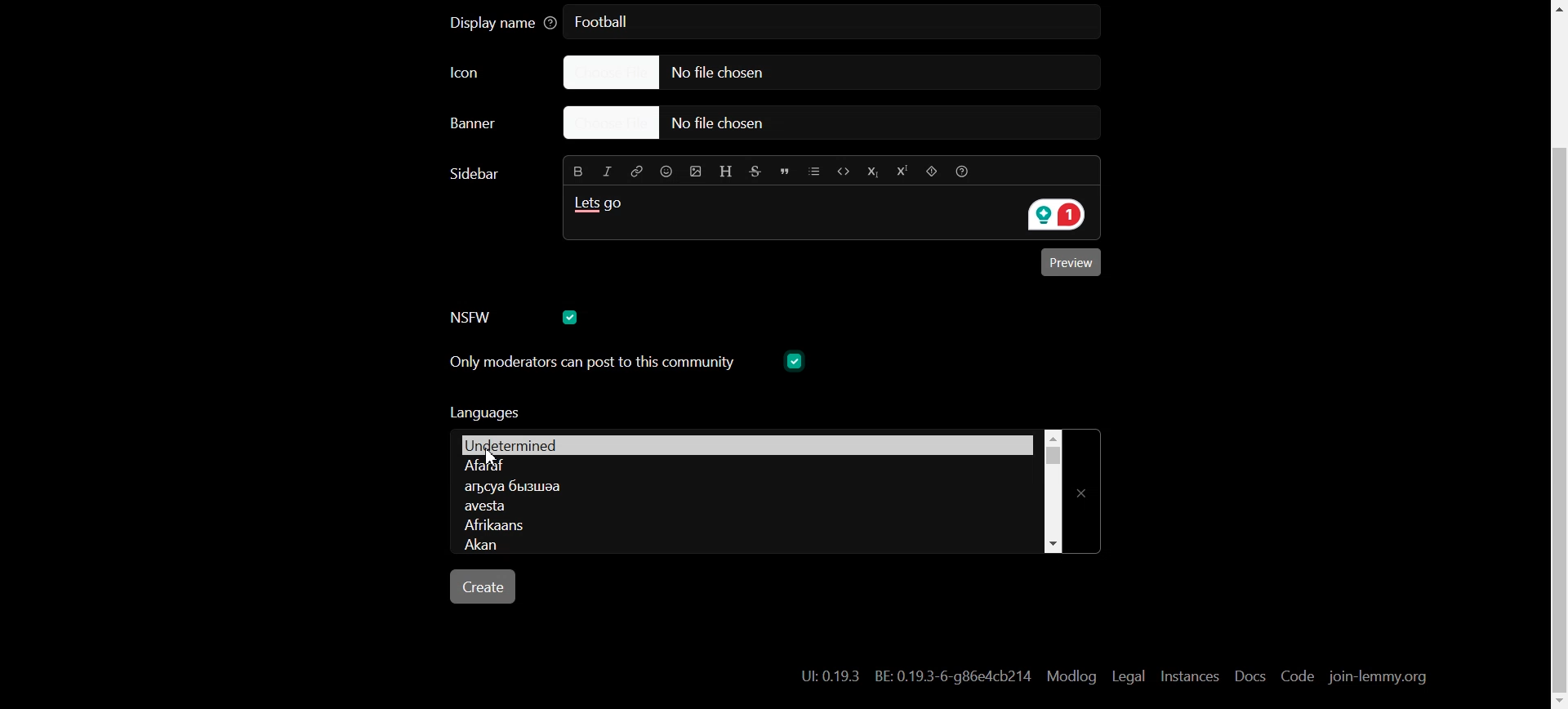  I want to click on Language, so click(738, 546).